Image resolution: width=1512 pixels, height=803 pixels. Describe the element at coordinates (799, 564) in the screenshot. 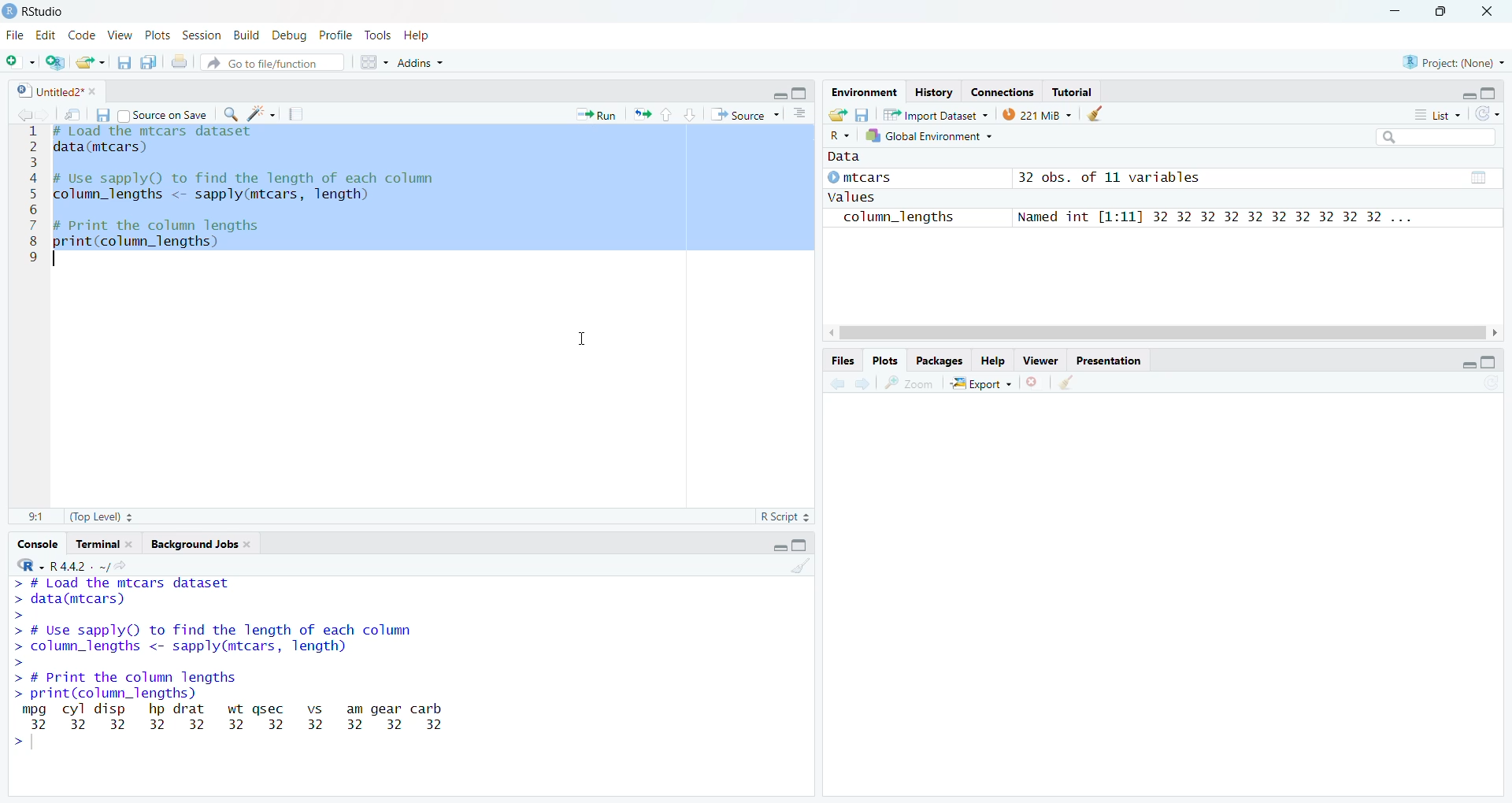

I see `Clear` at that location.